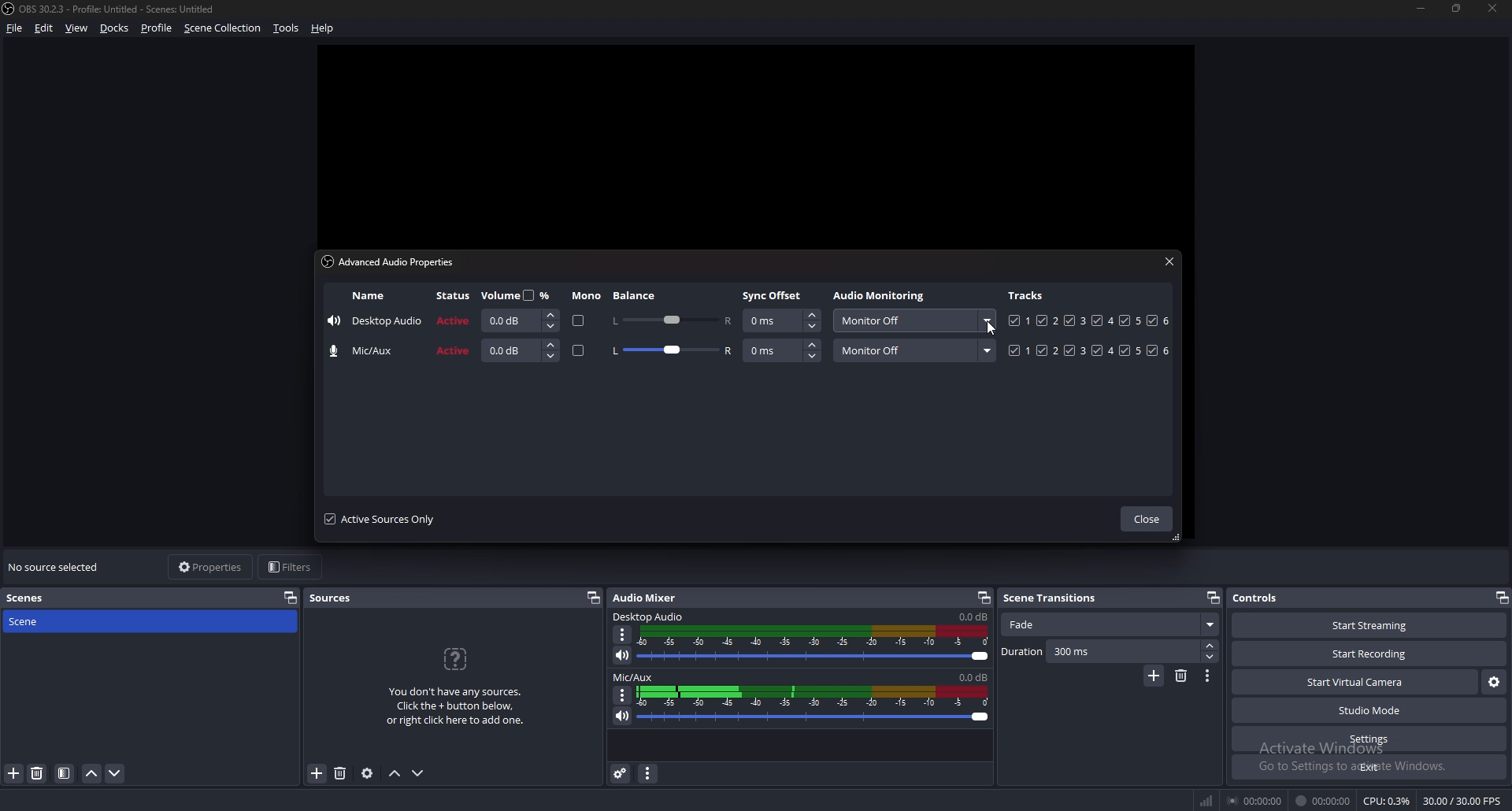 The height and width of the screenshot is (811, 1512). Describe the element at coordinates (517, 320) in the screenshot. I see `volume input` at that location.